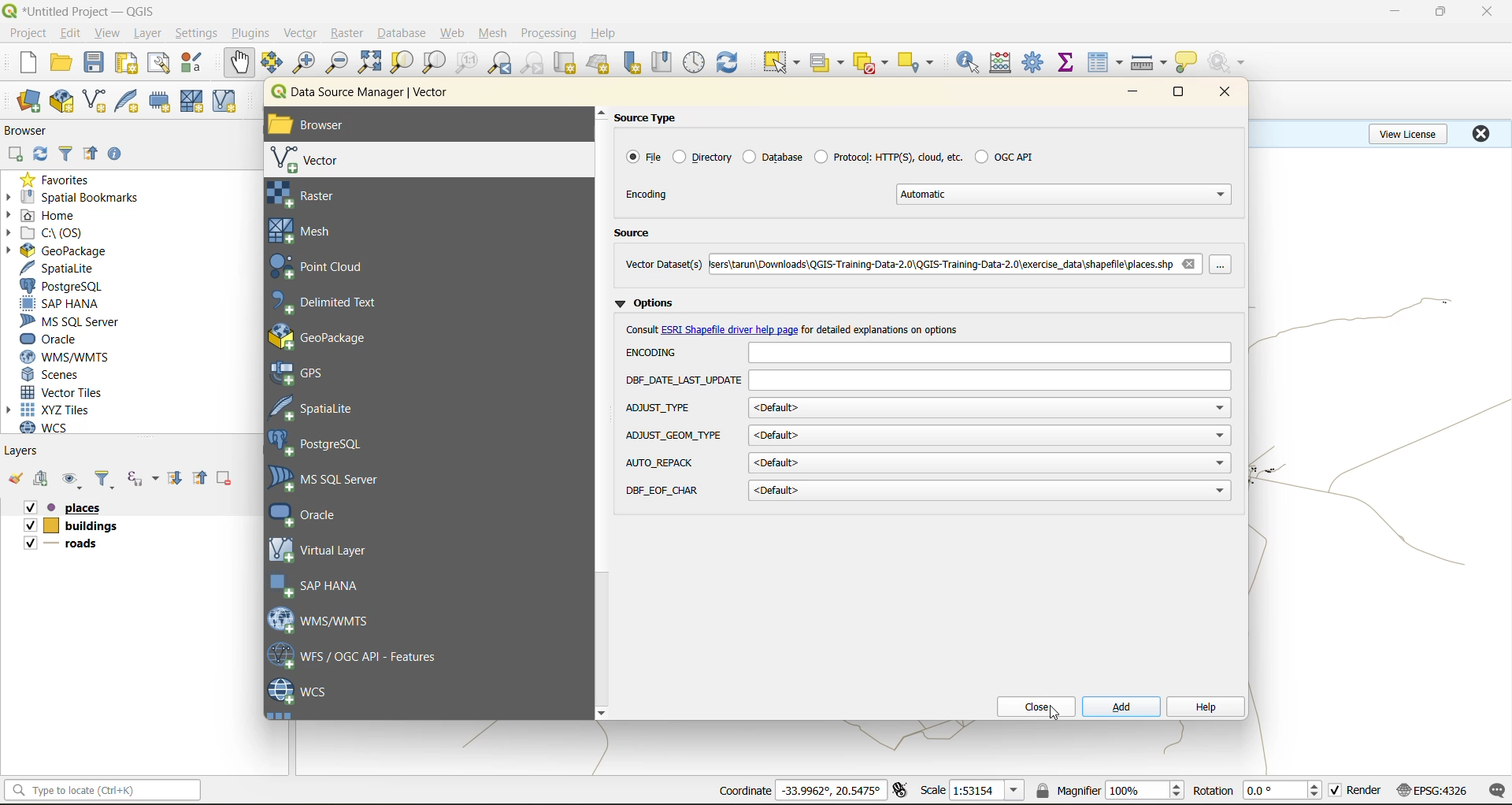 The image size is (1512, 805). I want to click on zoom next, so click(535, 63).